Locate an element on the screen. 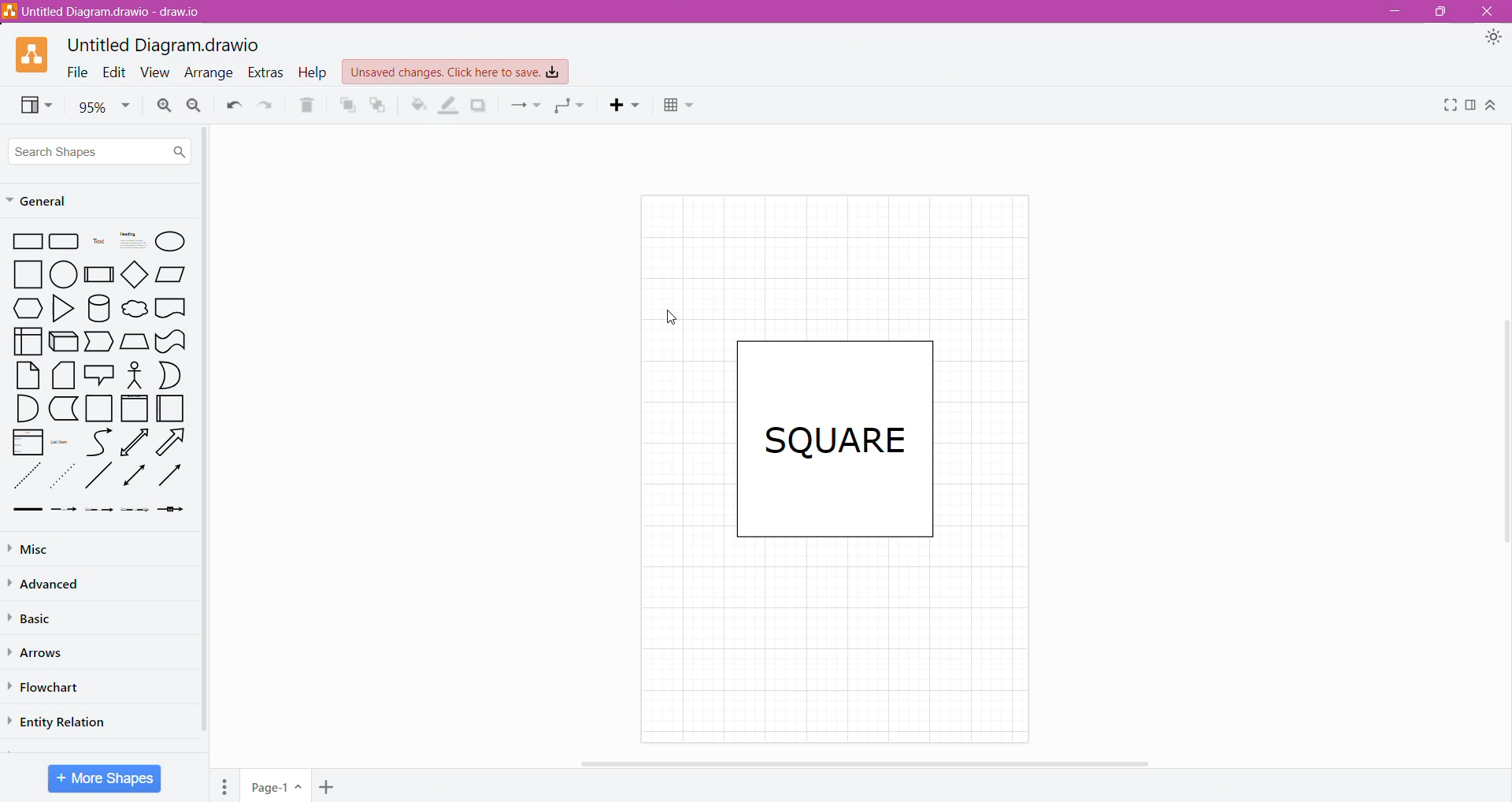 This screenshot has height=802, width=1512. View is located at coordinates (158, 72).